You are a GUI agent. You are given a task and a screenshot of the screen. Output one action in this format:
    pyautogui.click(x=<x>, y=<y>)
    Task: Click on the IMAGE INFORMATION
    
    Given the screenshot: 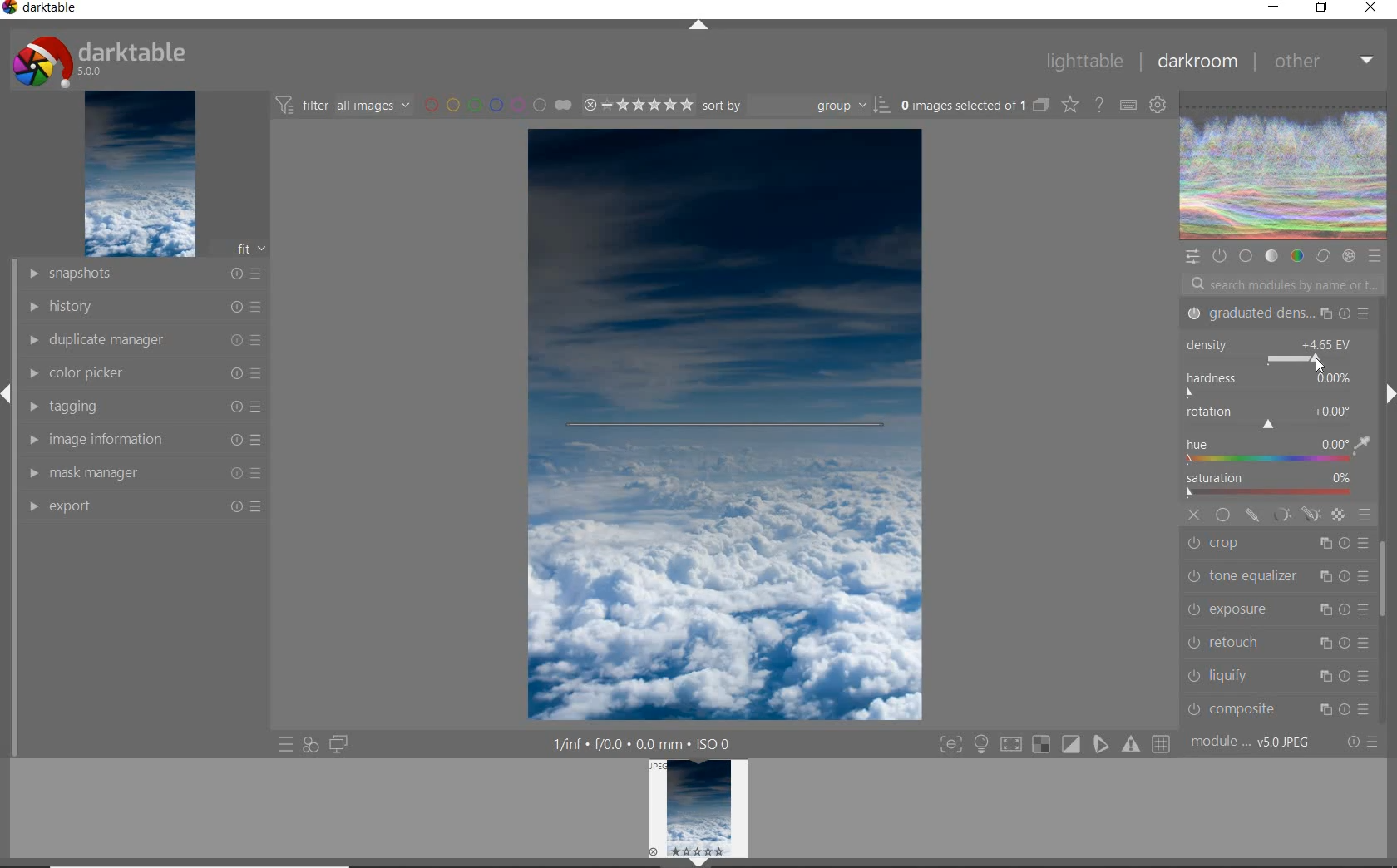 What is the action you would take?
    pyautogui.click(x=147, y=439)
    